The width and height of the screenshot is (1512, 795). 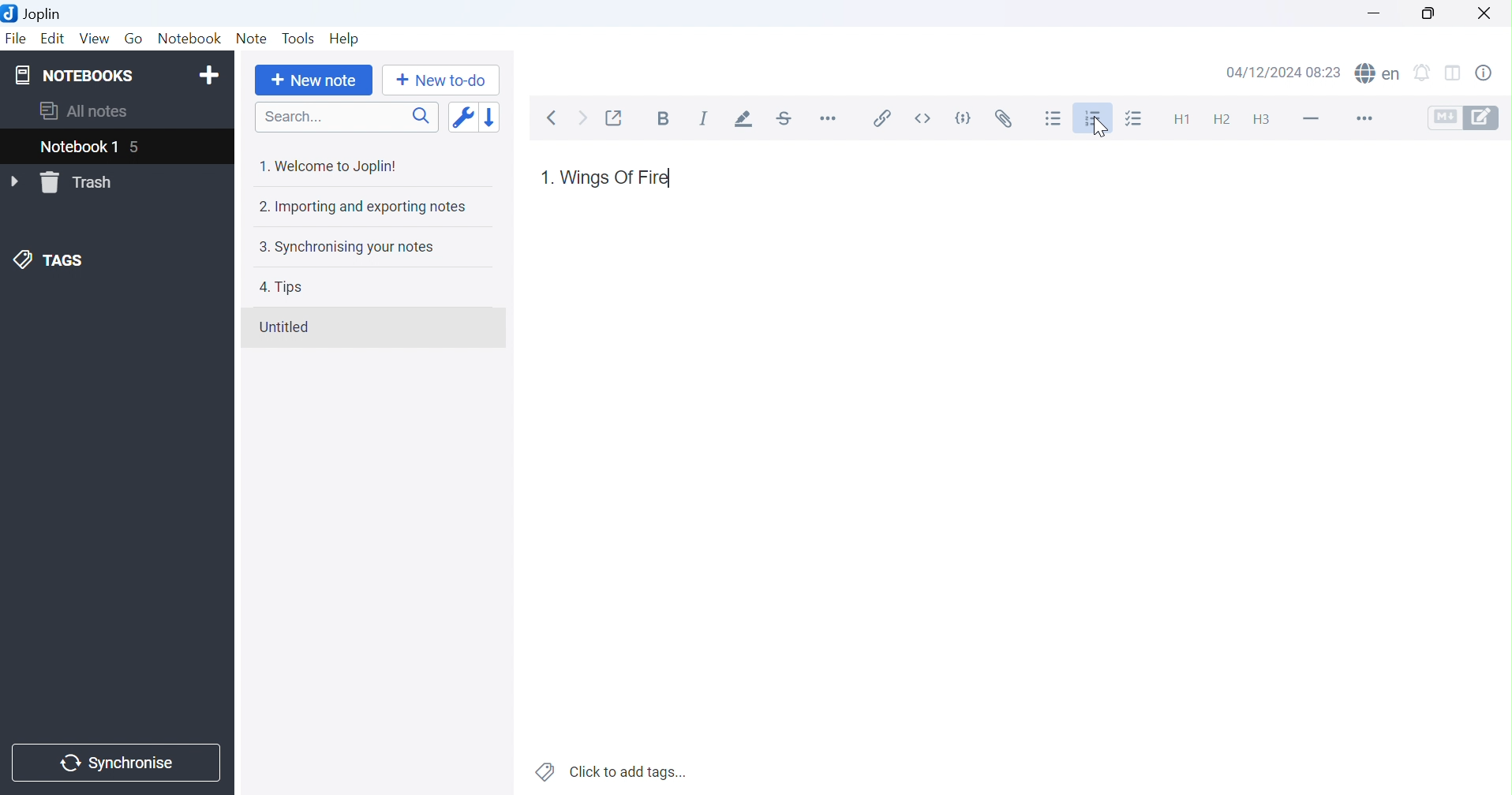 I want to click on Synchronise, so click(x=117, y=760).